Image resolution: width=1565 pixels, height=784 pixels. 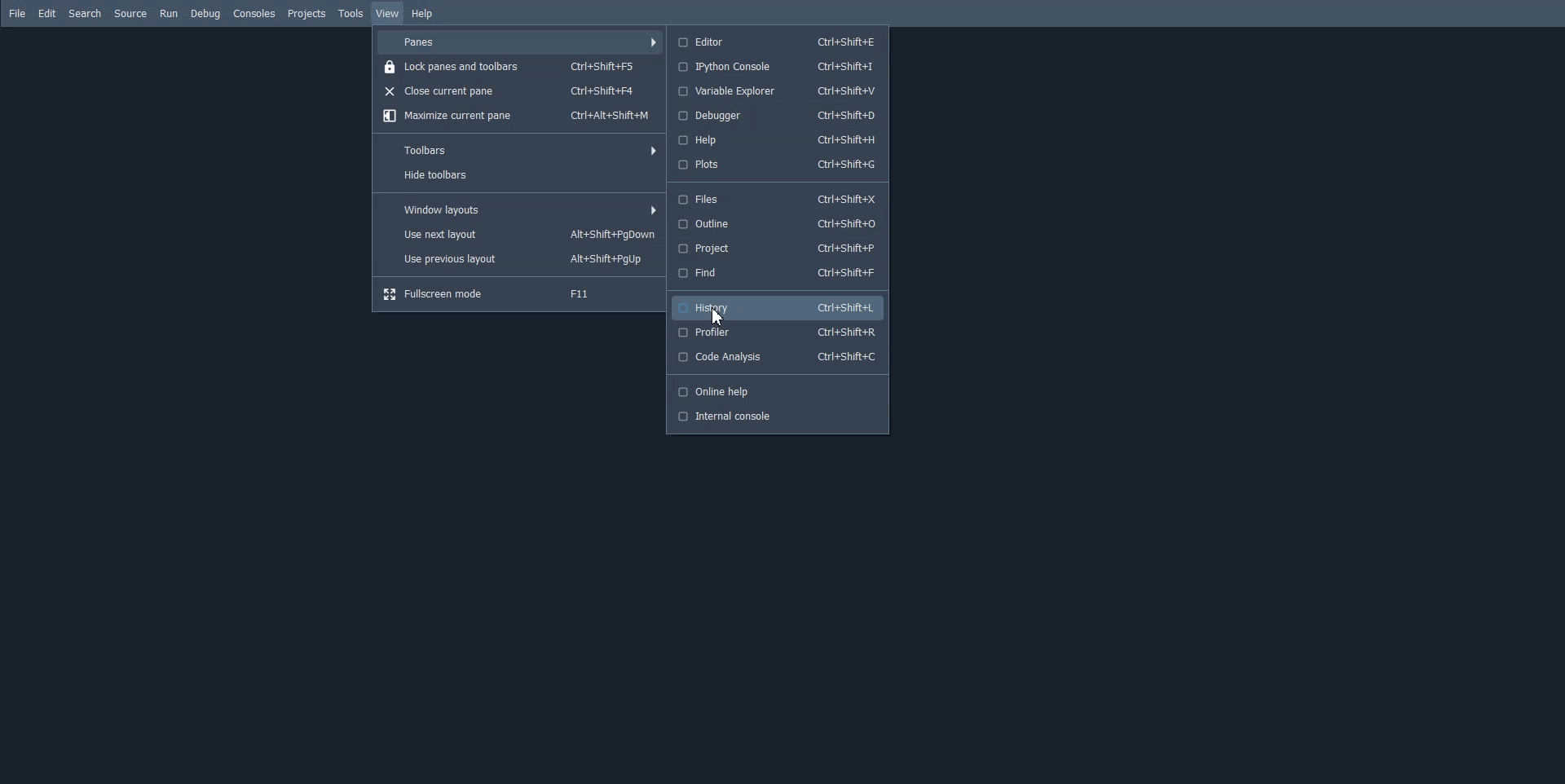 What do you see at coordinates (519, 261) in the screenshot?
I see `Use previous layout` at bounding box center [519, 261].